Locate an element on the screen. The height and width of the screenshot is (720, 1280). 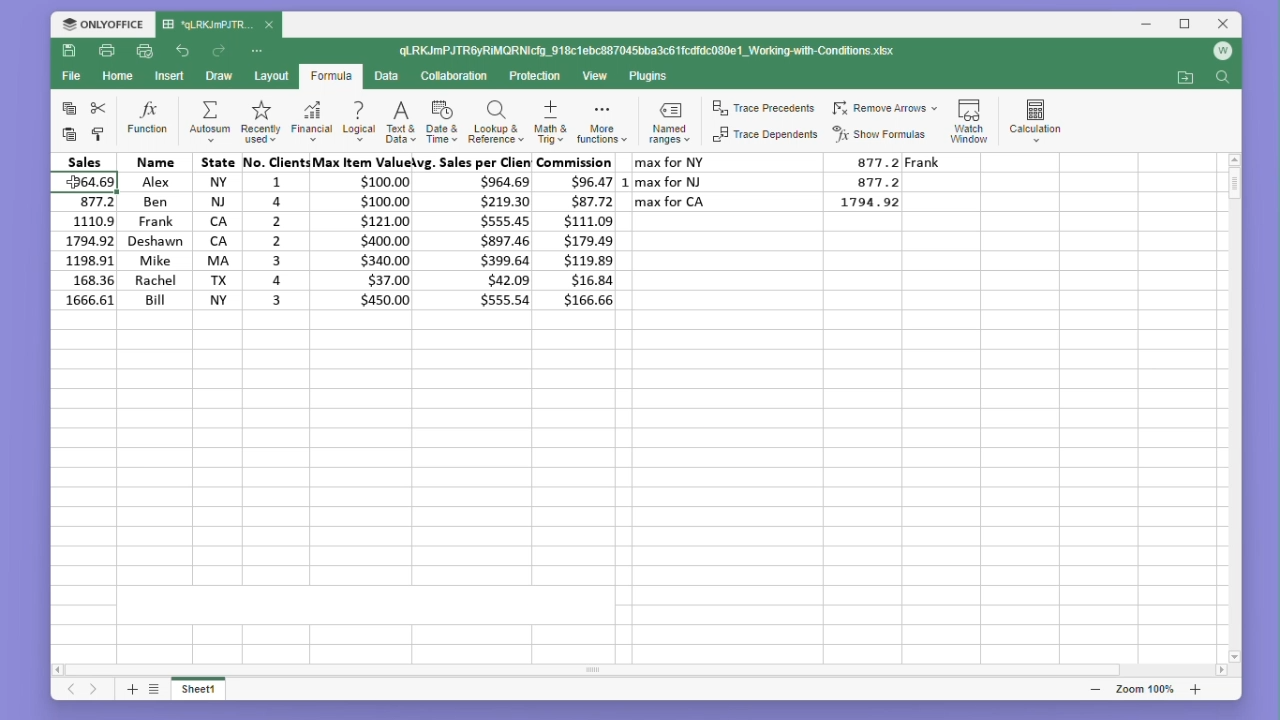
Vertical scroll bar is located at coordinates (1234, 403).